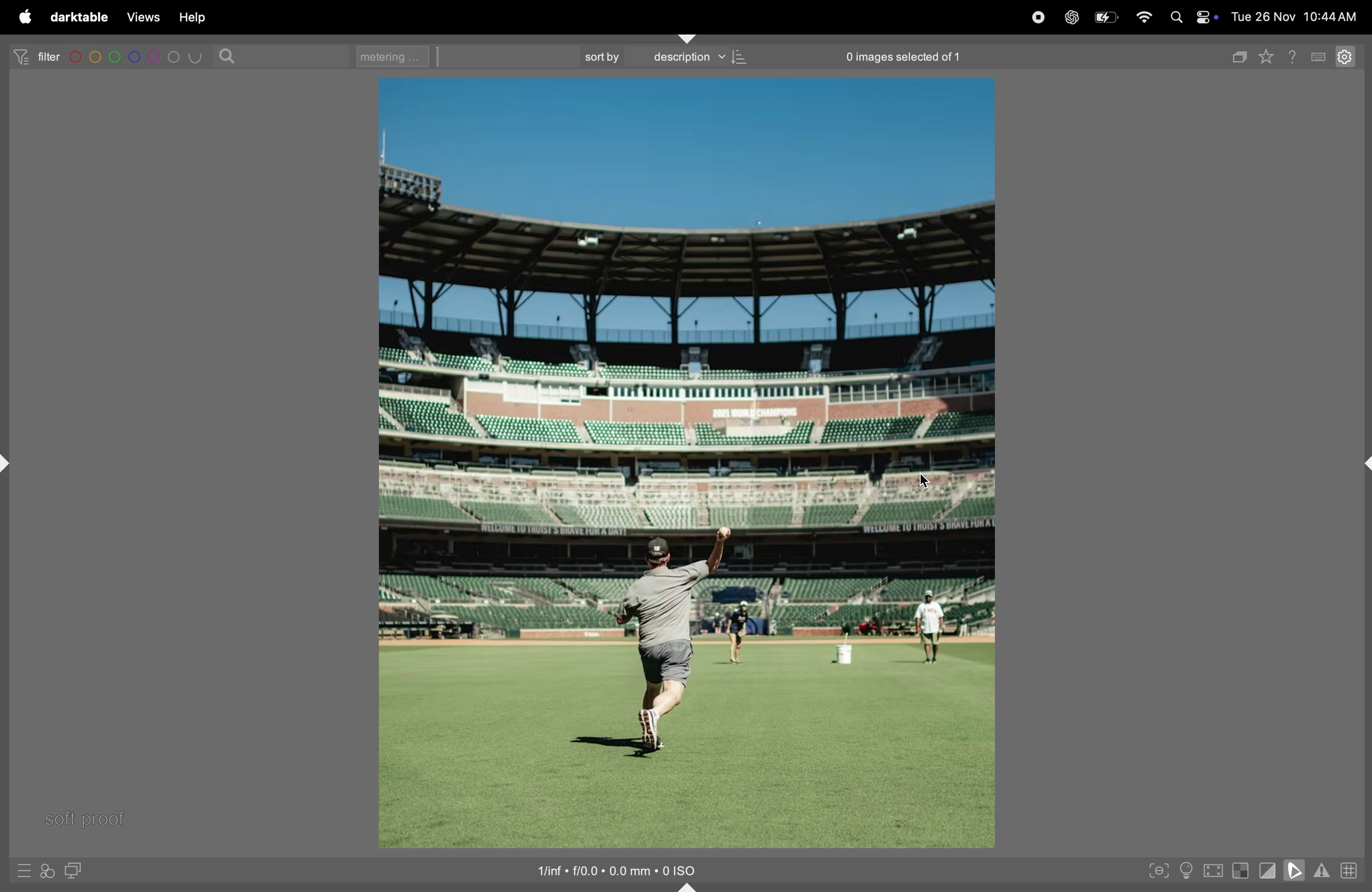  I want to click on 0 images selected, so click(919, 58).